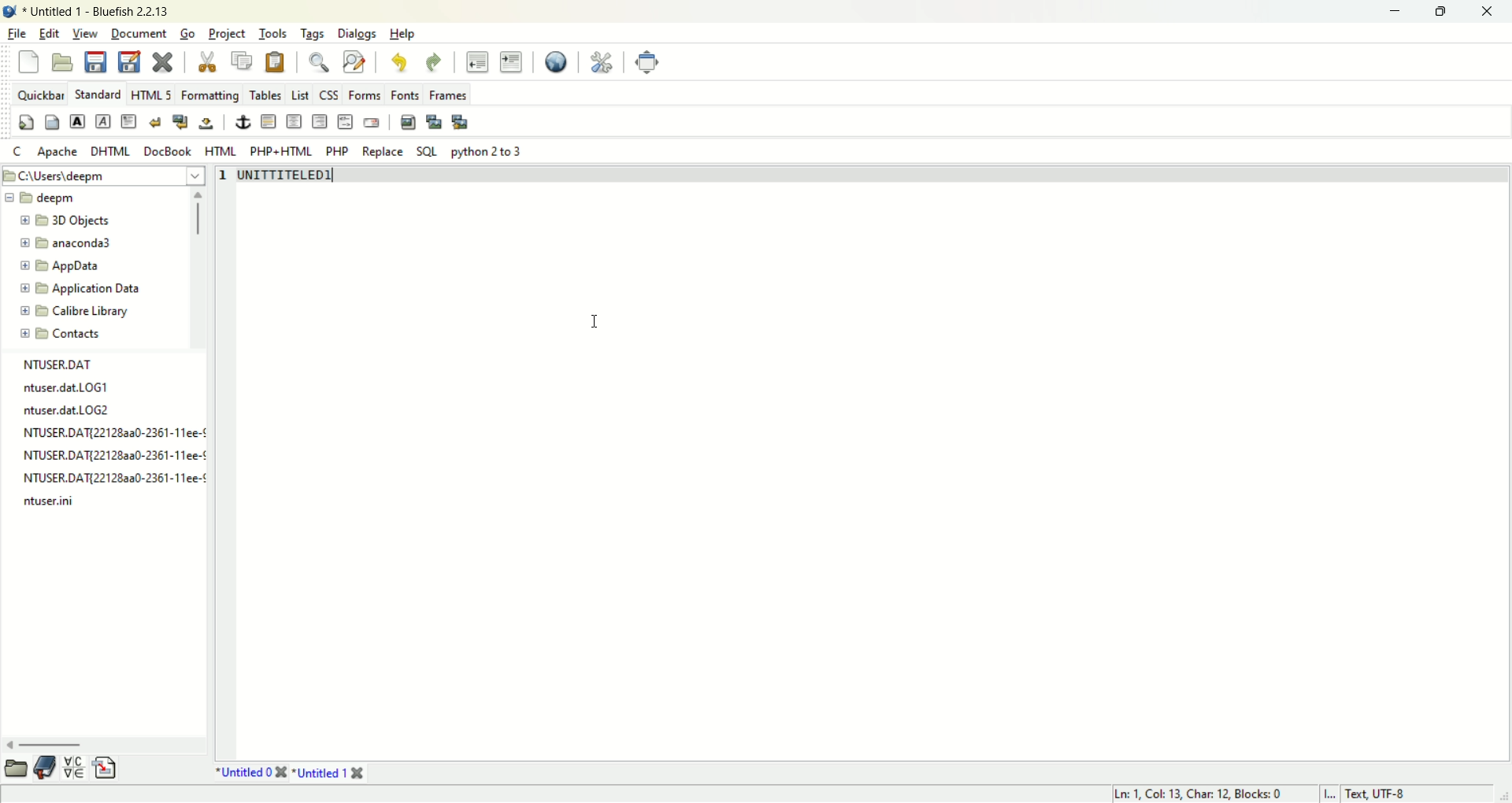 The width and height of the screenshot is (1512, 803). I want to click on PHP+HTML, so click(282, 151).